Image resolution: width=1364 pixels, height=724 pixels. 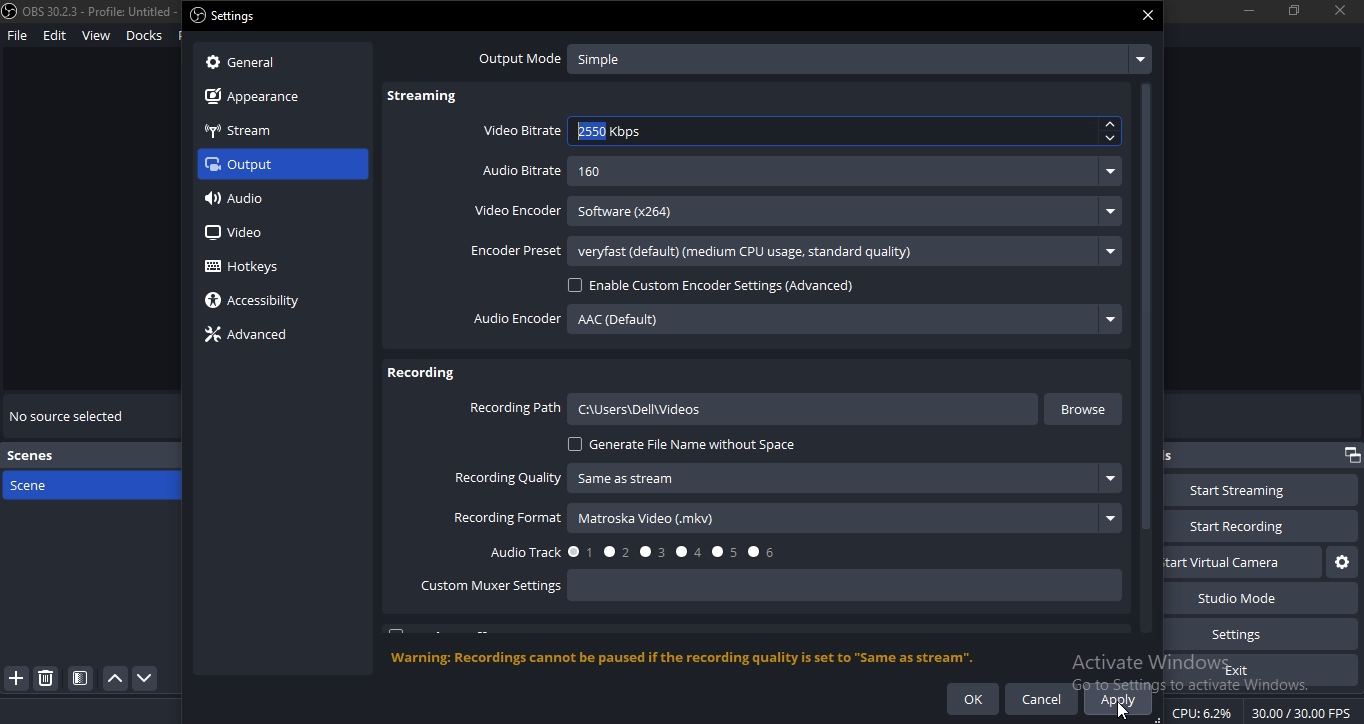 What do you see at coordinates (847, 212) in the screenshot?
I see `Software (x264)` at bounding box center [847, 212].